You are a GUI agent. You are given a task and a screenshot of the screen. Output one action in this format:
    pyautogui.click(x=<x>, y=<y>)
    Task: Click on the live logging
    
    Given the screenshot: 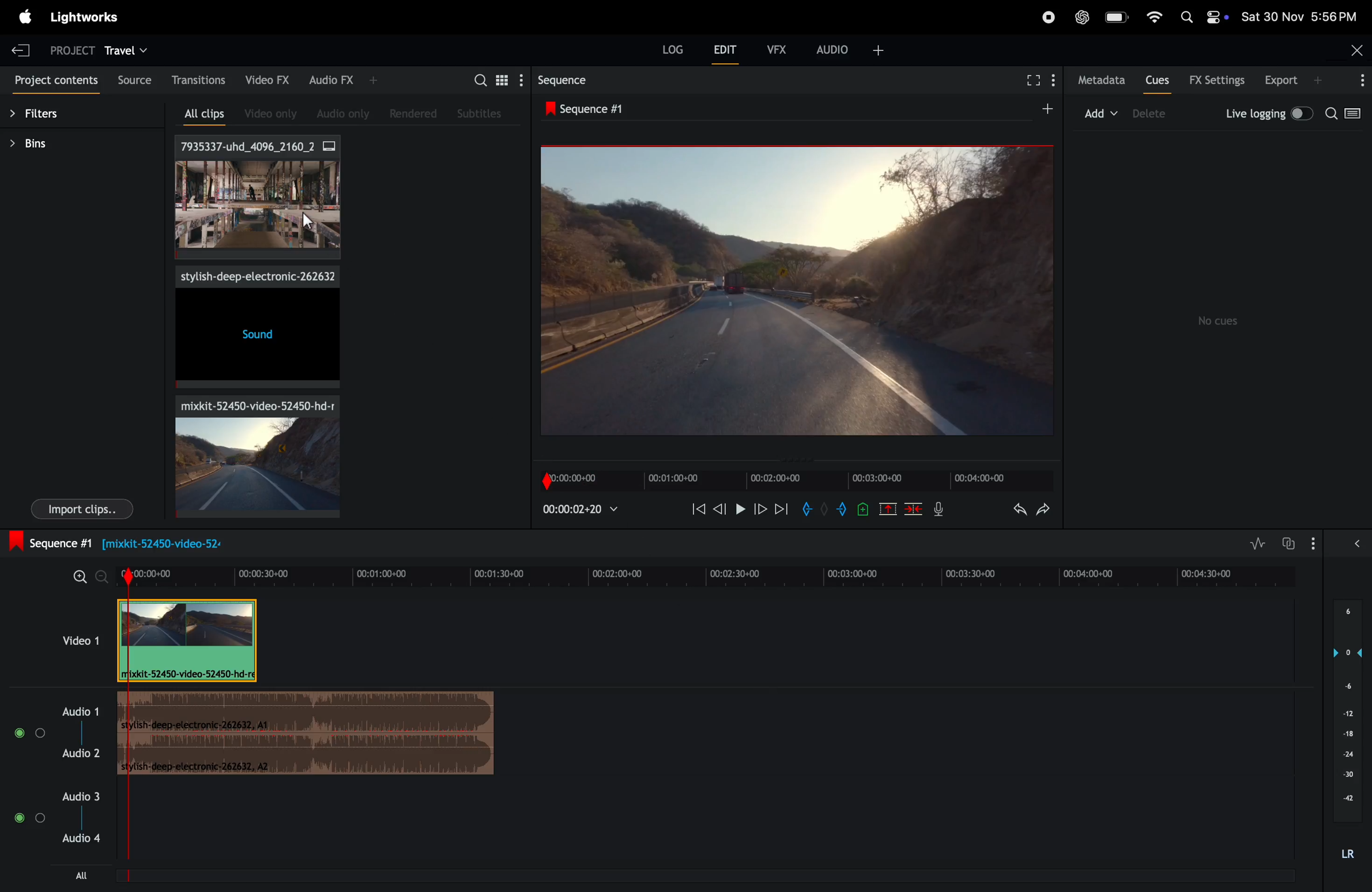 What is the action you would take?
    pyautogui.click(x=1266, y=112)
    